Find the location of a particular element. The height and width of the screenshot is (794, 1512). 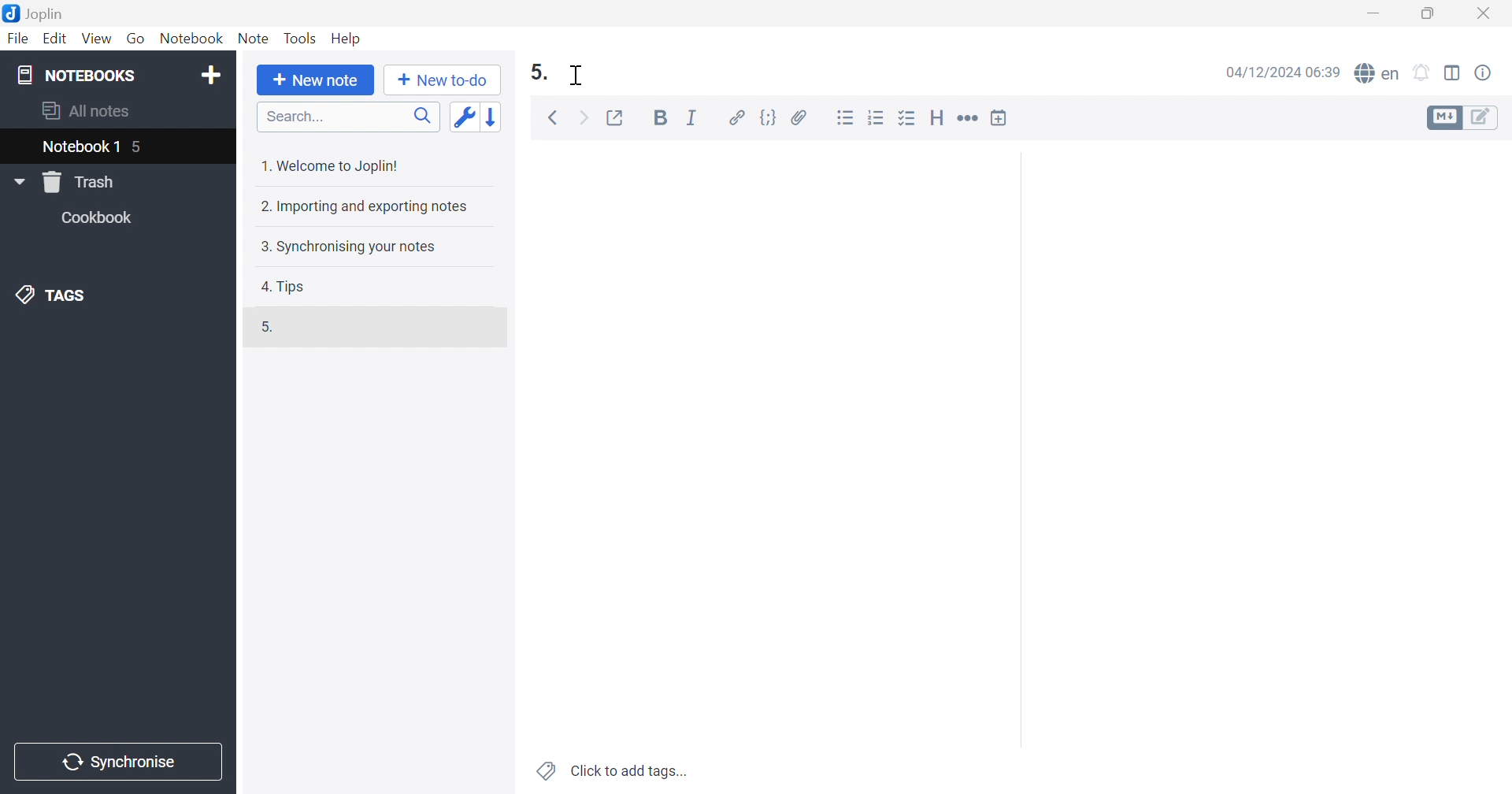

Toggle sort order field is located at coordinates (467, 118).